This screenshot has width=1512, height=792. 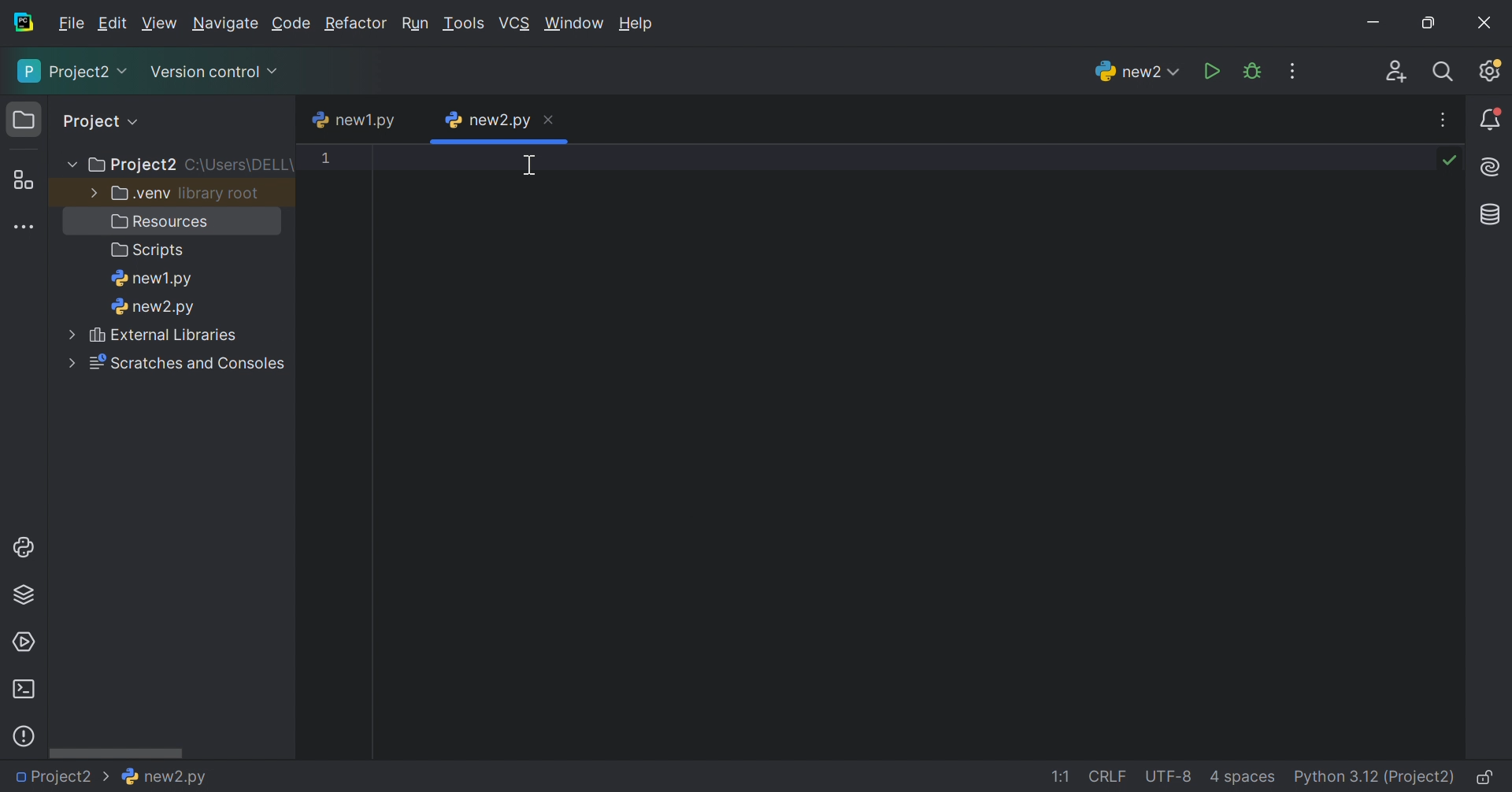 What do you see at coordinates (24, 690) in the screenshot?
I see `Terminal` at bounding box center [24, 690].